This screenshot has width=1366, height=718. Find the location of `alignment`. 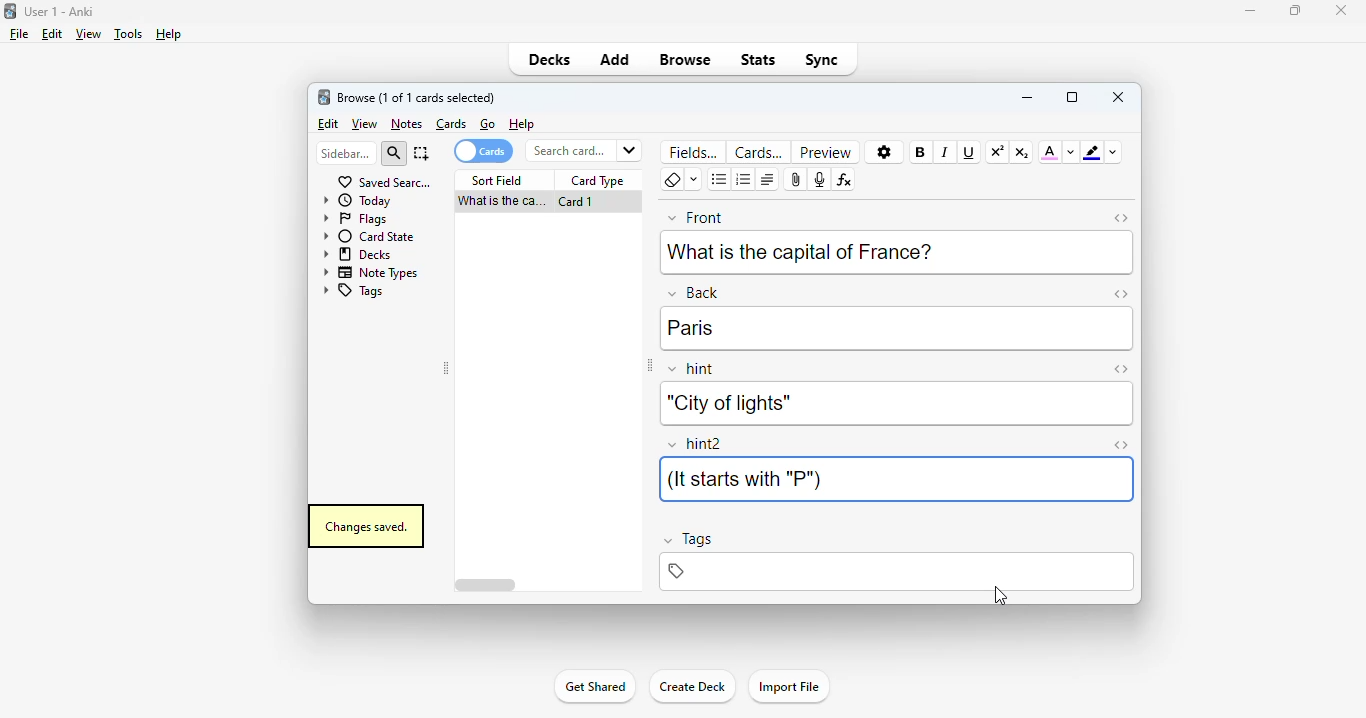

alignment is located at coordinates (767, 180).